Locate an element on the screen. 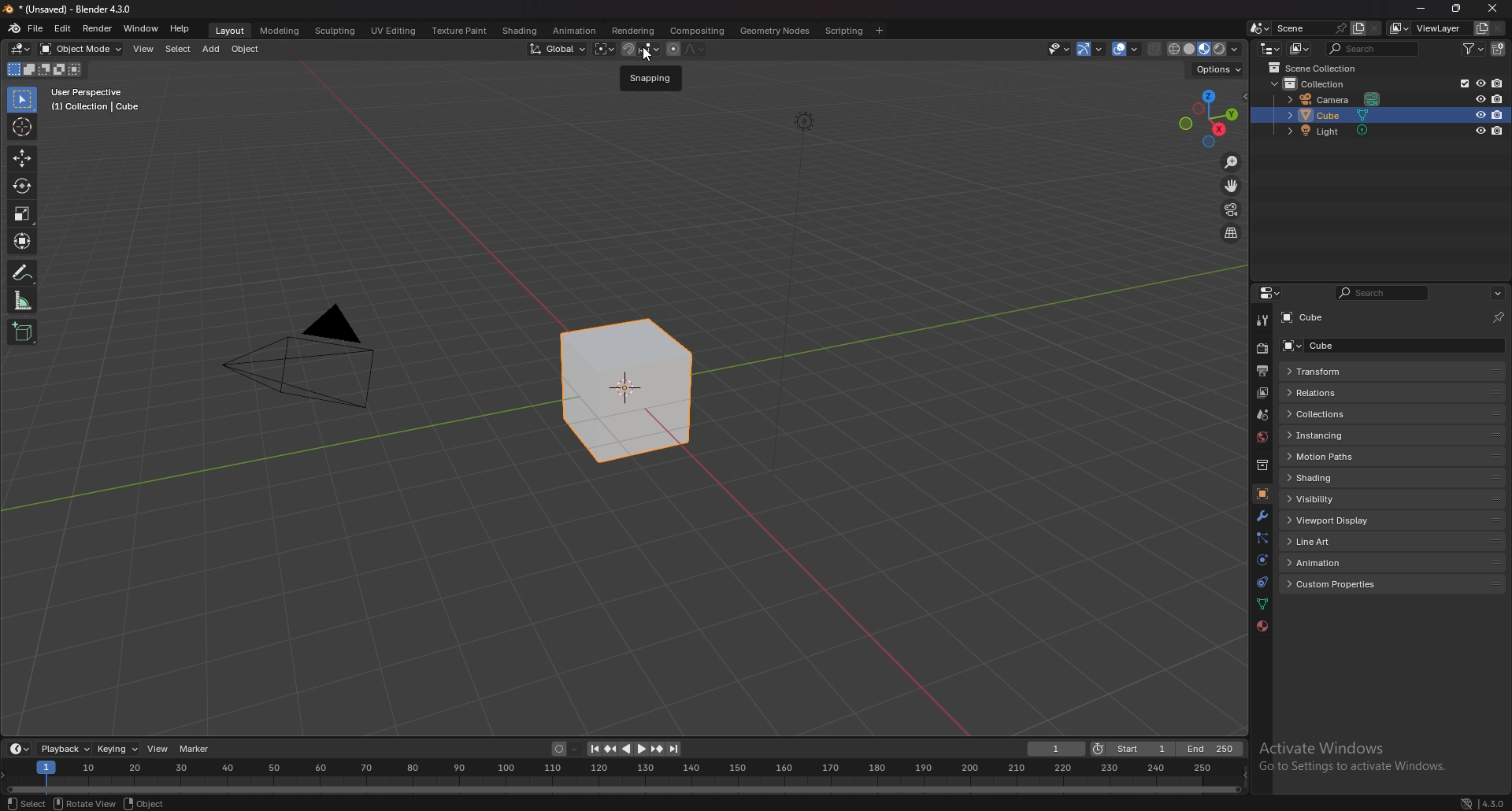  zoom is located at coordinates (1232, 163).